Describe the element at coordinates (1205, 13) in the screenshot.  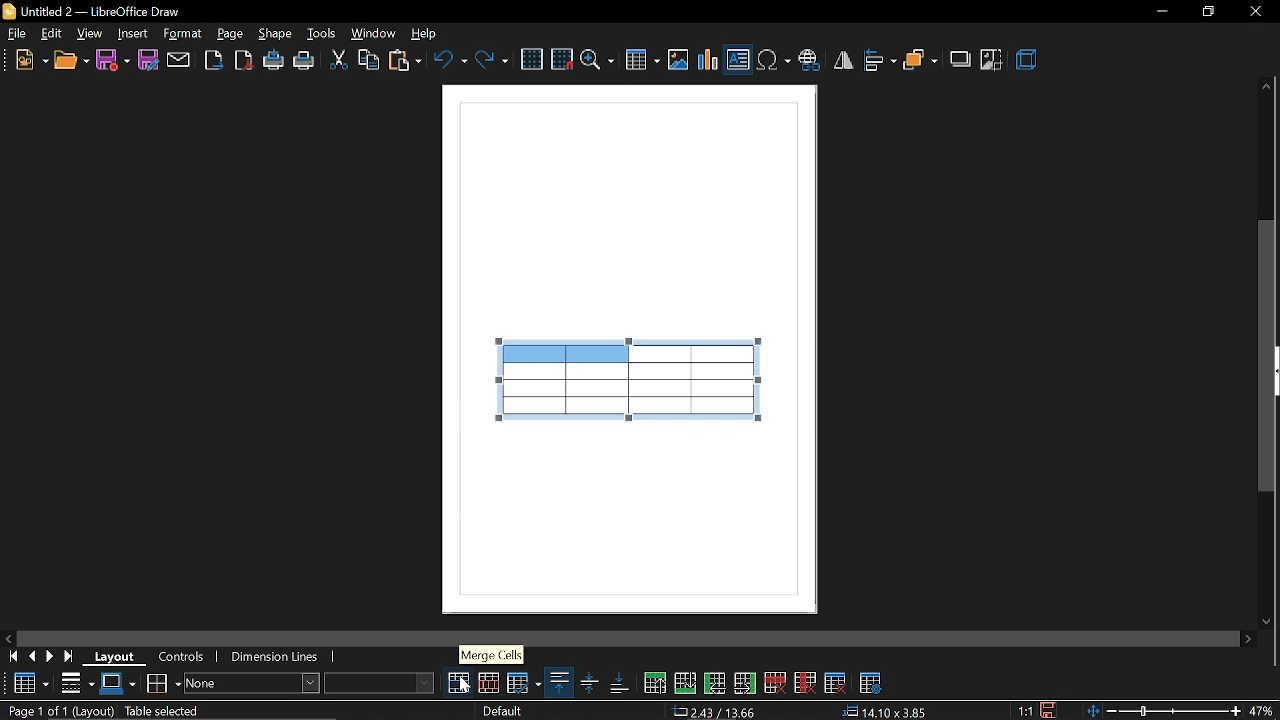
I see `Restore down` at that location.